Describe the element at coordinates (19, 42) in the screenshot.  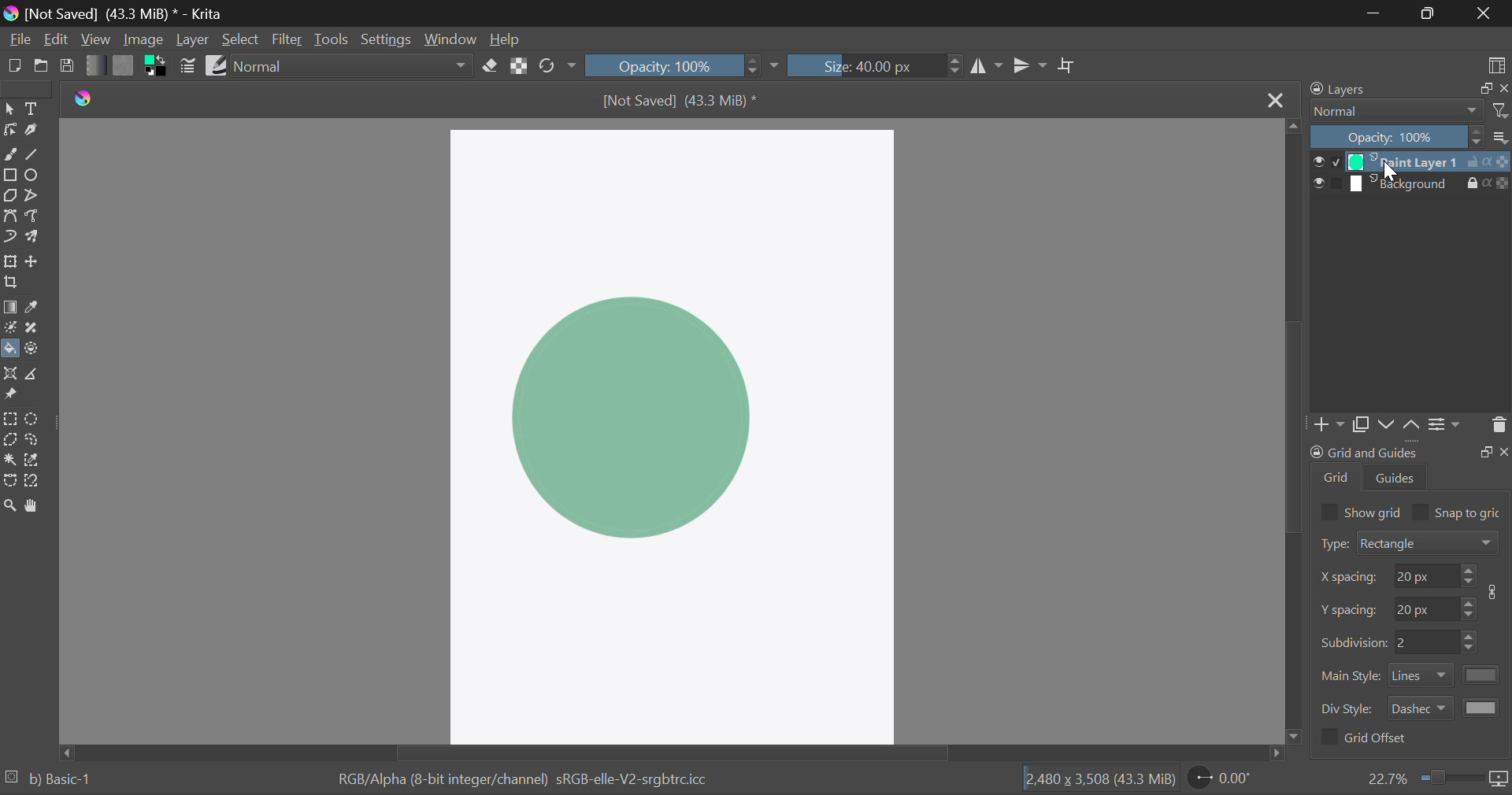
I see `File` at that location.